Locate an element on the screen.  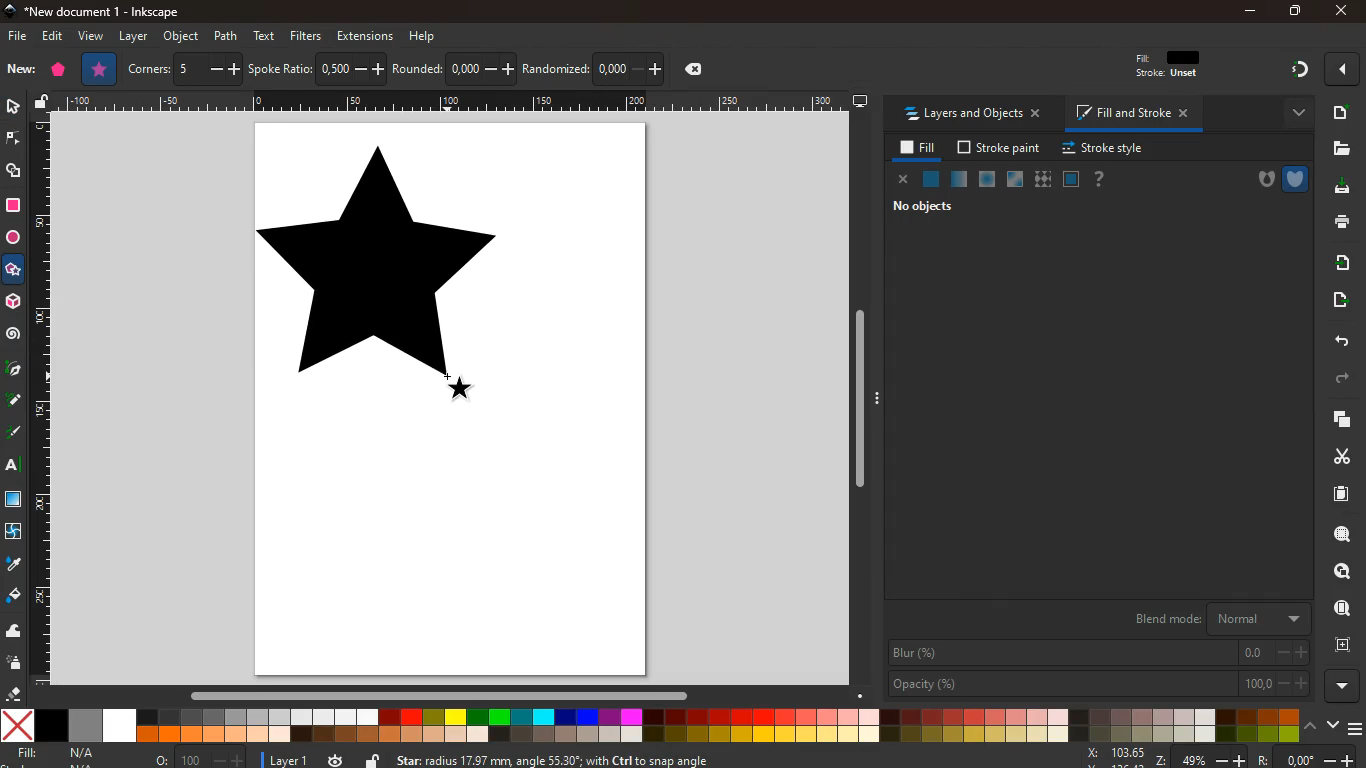
erase is located at coordinates (14, 692).